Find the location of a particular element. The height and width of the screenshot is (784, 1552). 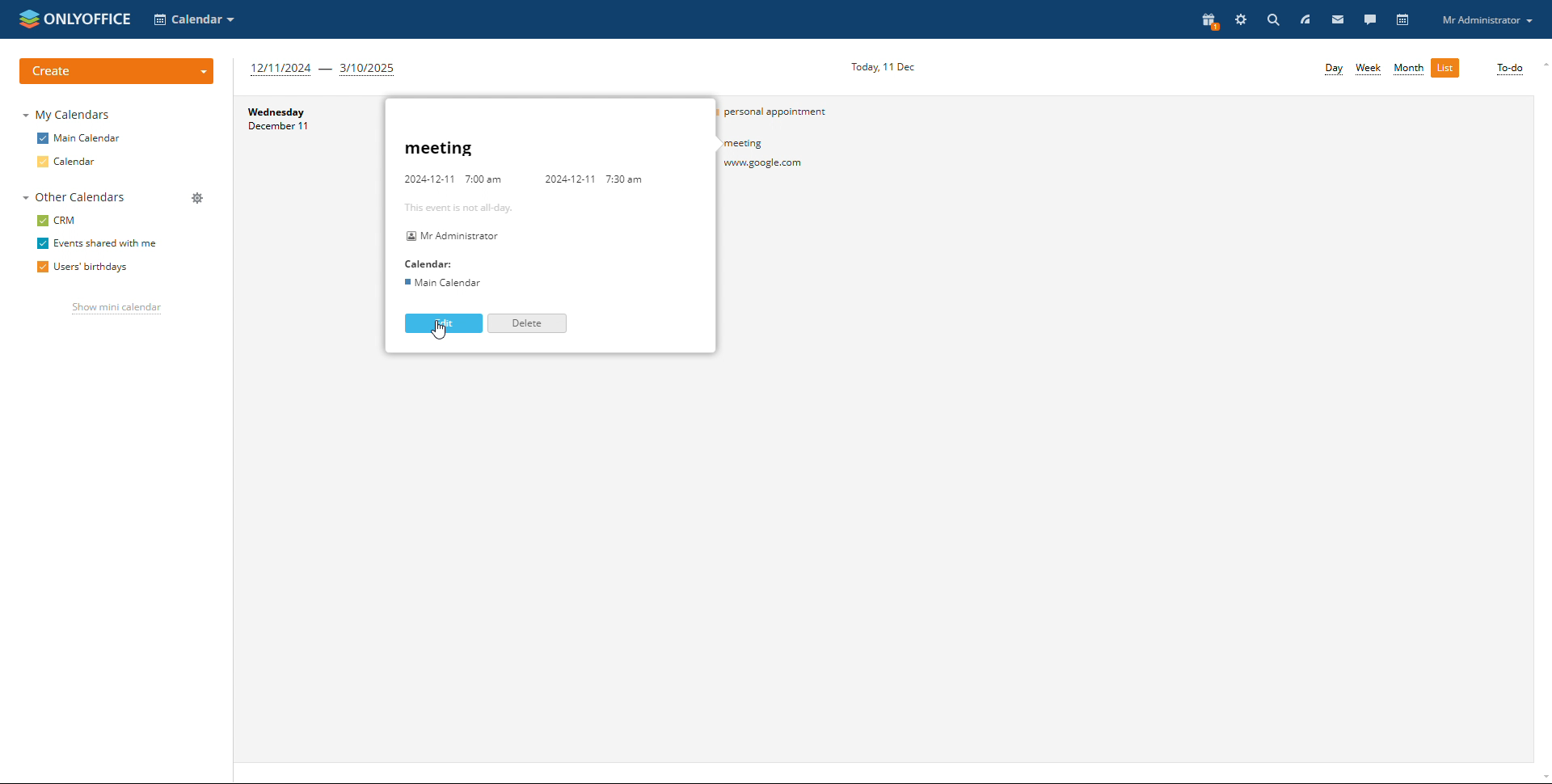

mail is located at coordinates (1339, 19).